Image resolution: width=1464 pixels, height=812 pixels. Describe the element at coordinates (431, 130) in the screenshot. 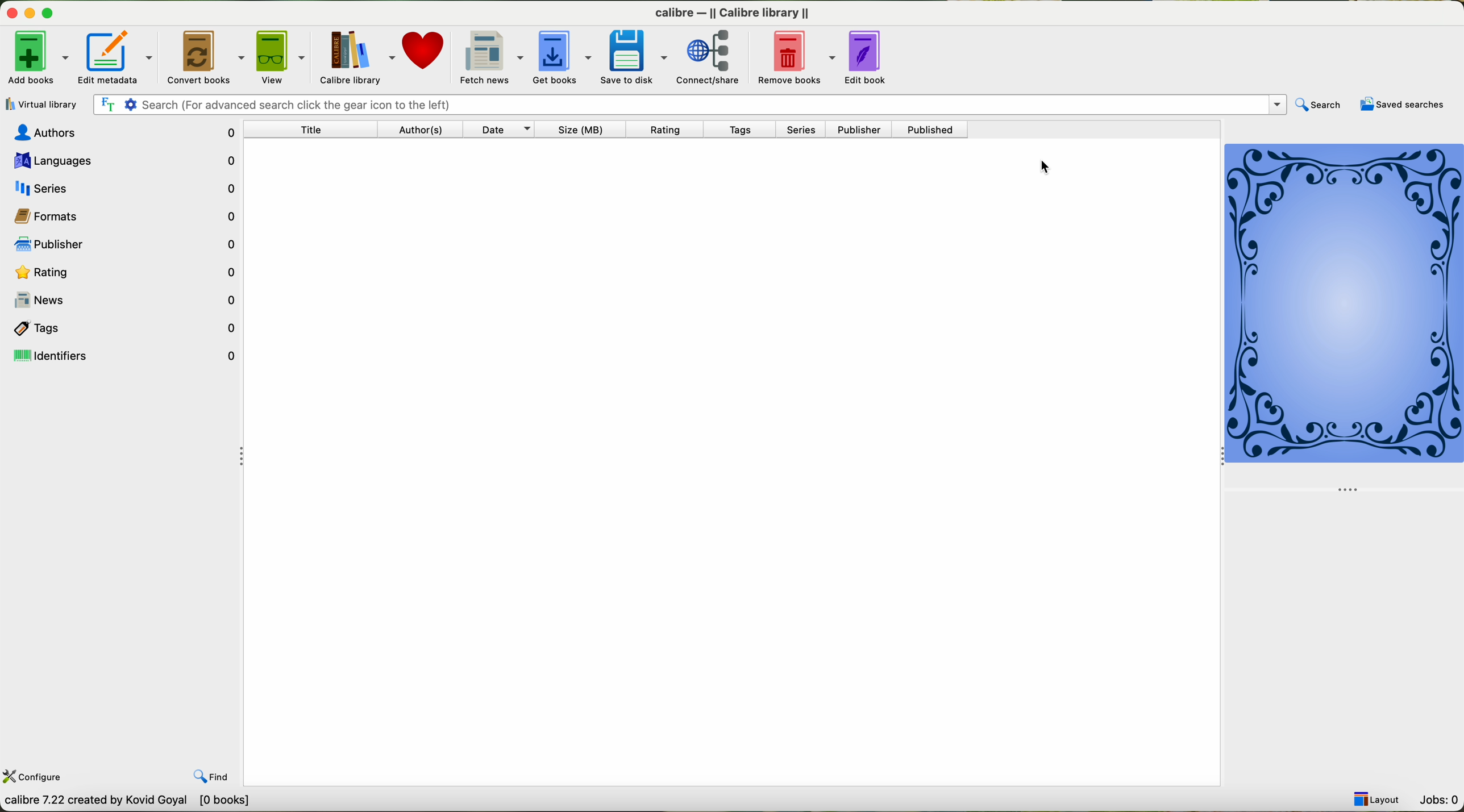

I see `authors` at that location.